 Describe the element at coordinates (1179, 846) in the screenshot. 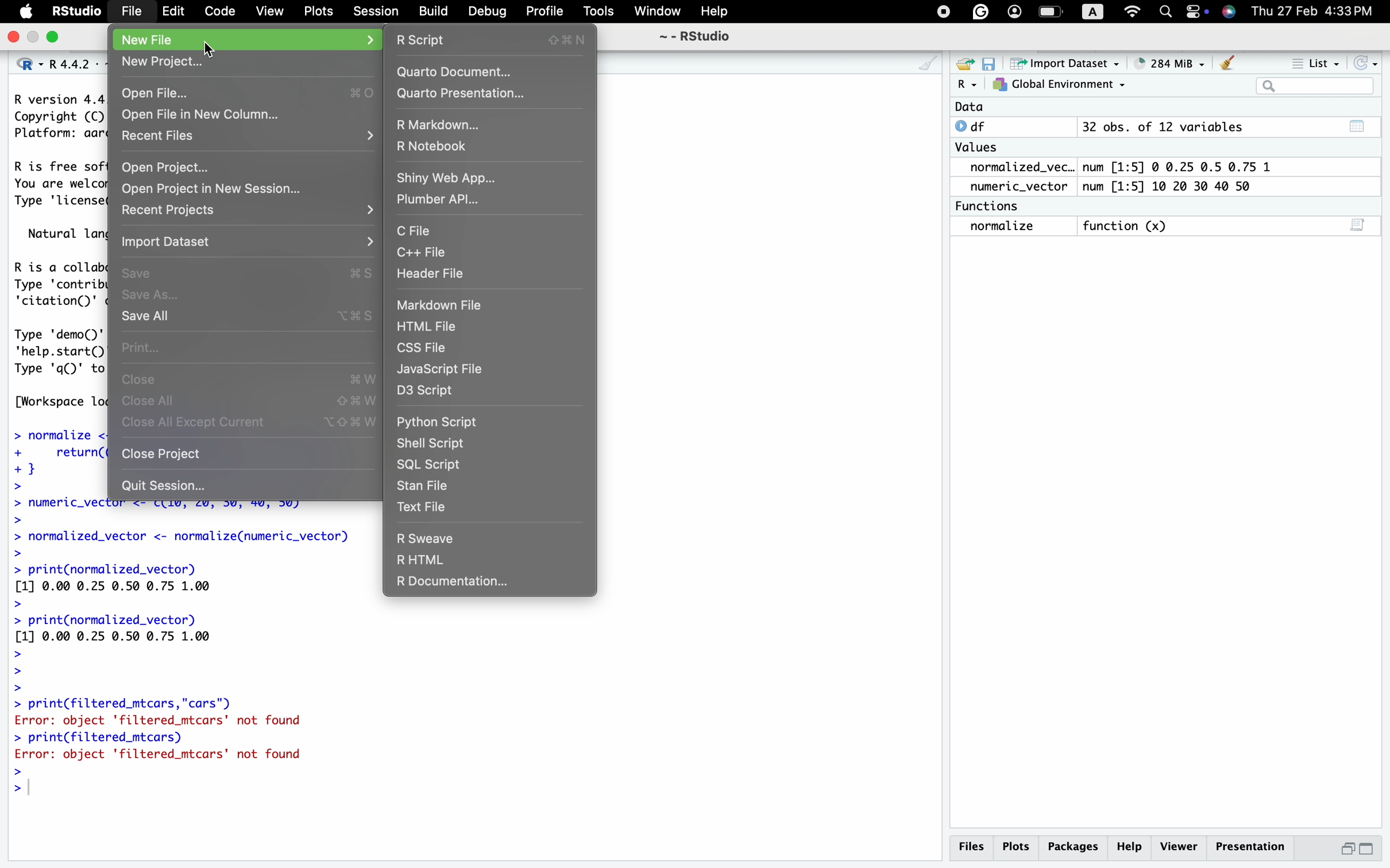

I see `viewer` at that location.